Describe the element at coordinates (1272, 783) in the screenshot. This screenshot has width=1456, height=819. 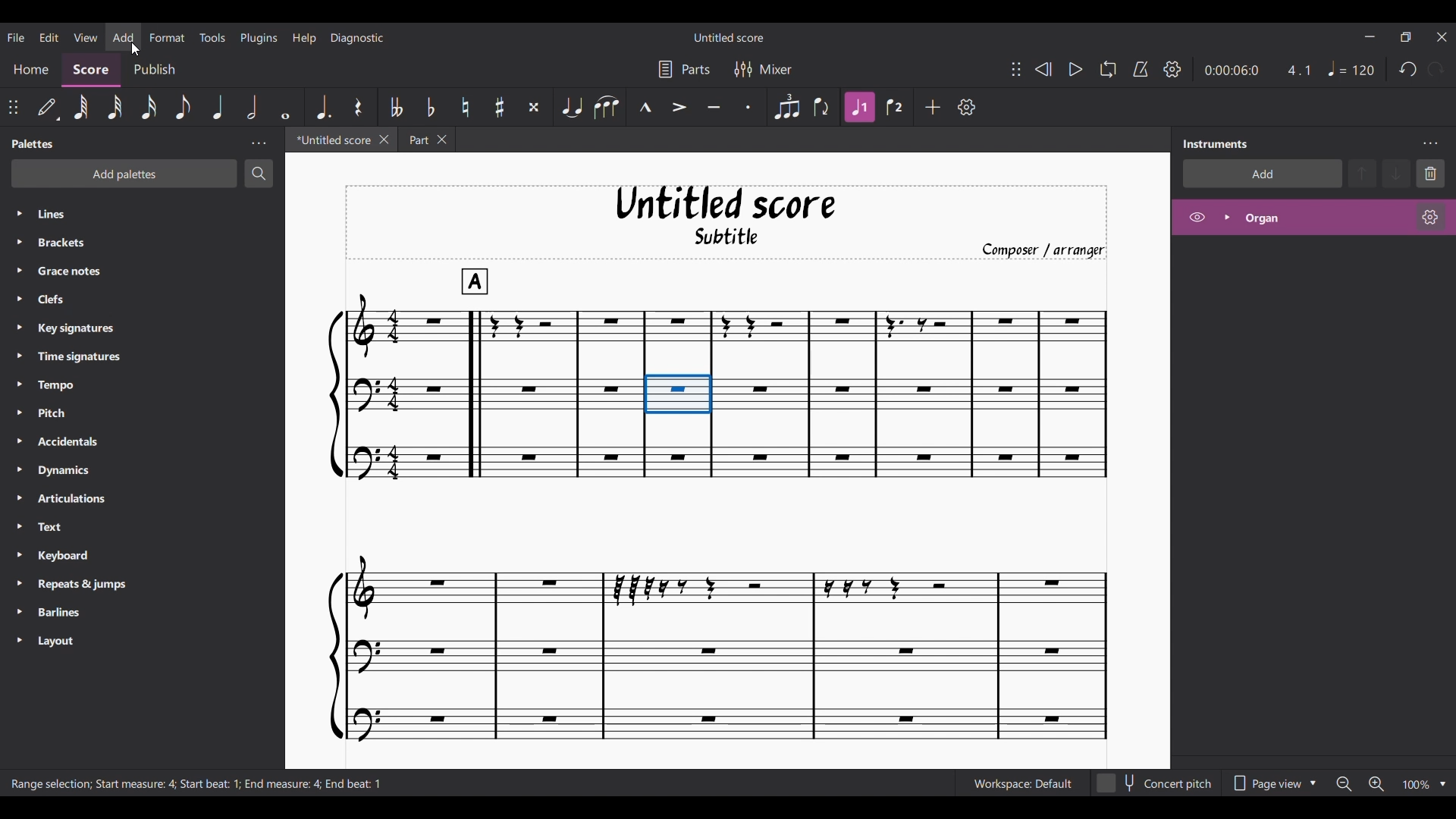
I see `Page view options` at that location.